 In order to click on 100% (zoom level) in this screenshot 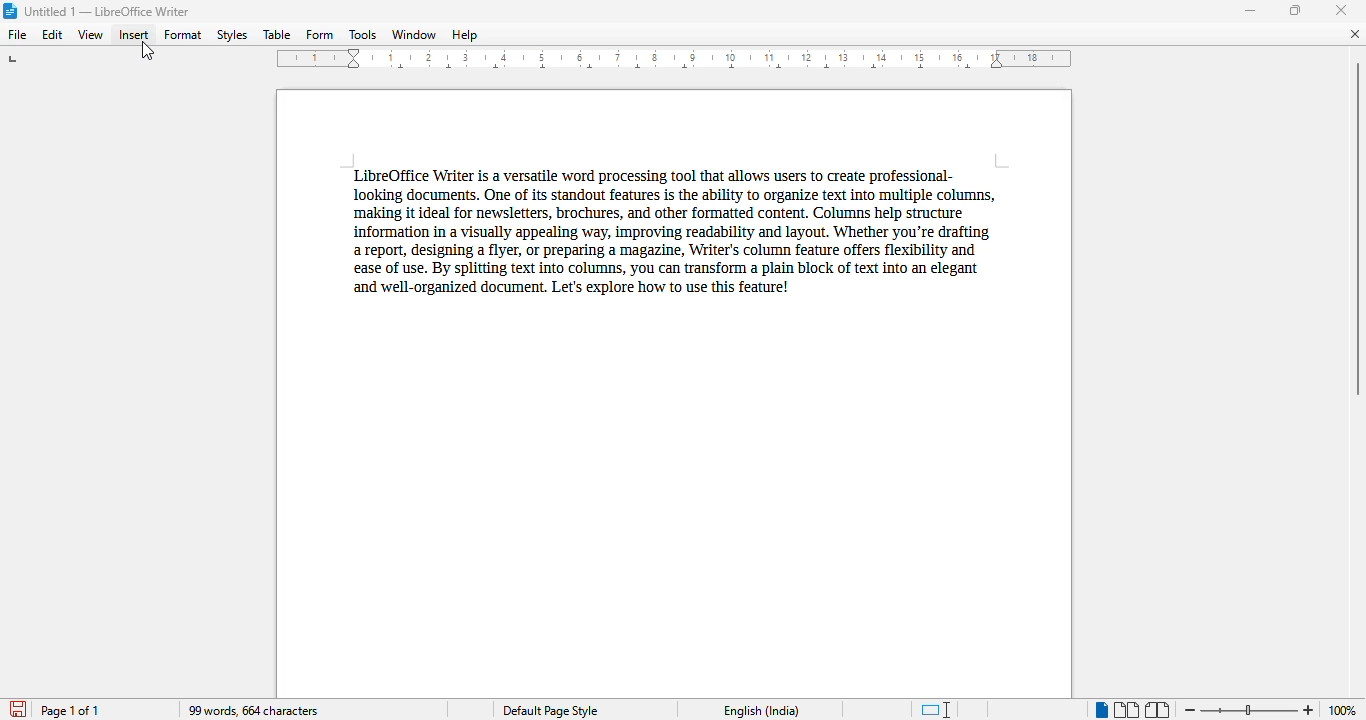, I will do `click(1343, 710)`.